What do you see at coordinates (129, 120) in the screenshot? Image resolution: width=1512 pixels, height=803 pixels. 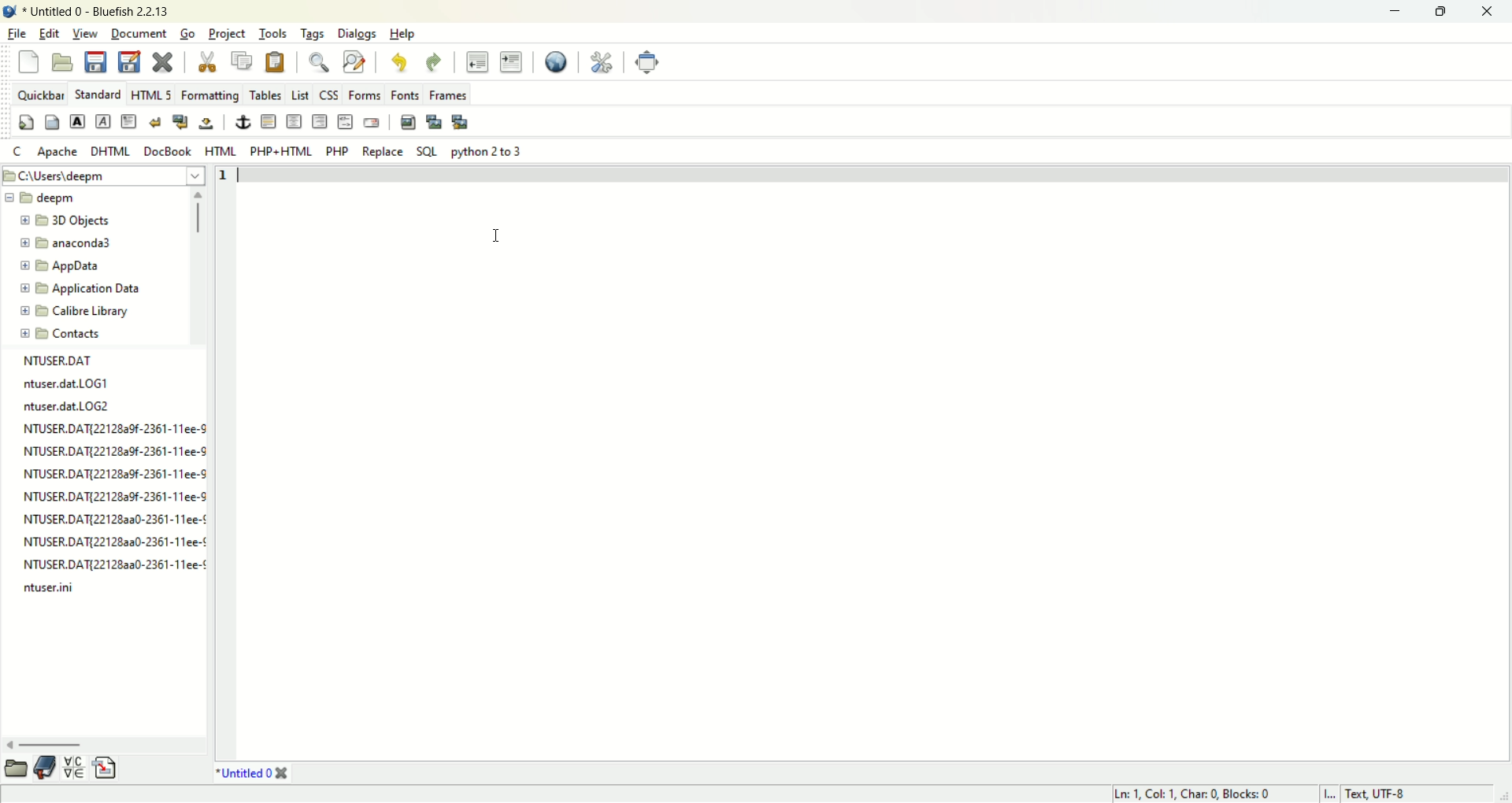 I see `paragraph` at bounding box center [129, 120].